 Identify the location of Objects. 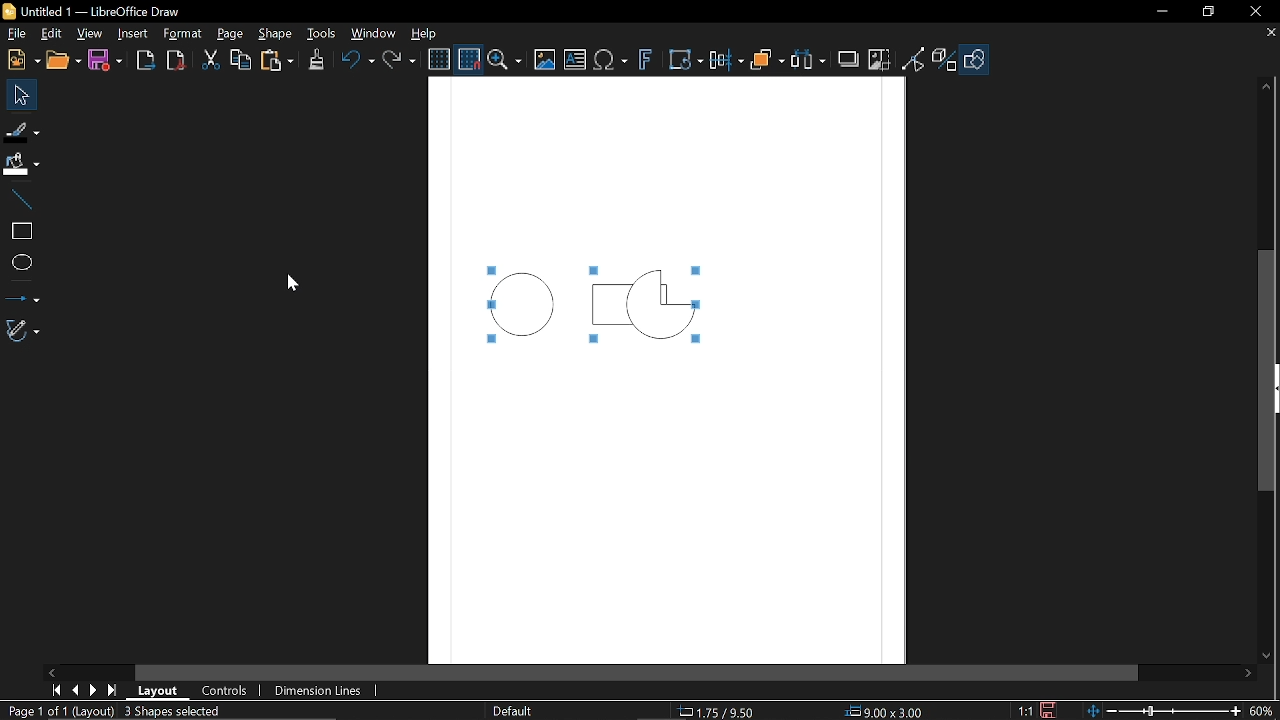
(766, 61).